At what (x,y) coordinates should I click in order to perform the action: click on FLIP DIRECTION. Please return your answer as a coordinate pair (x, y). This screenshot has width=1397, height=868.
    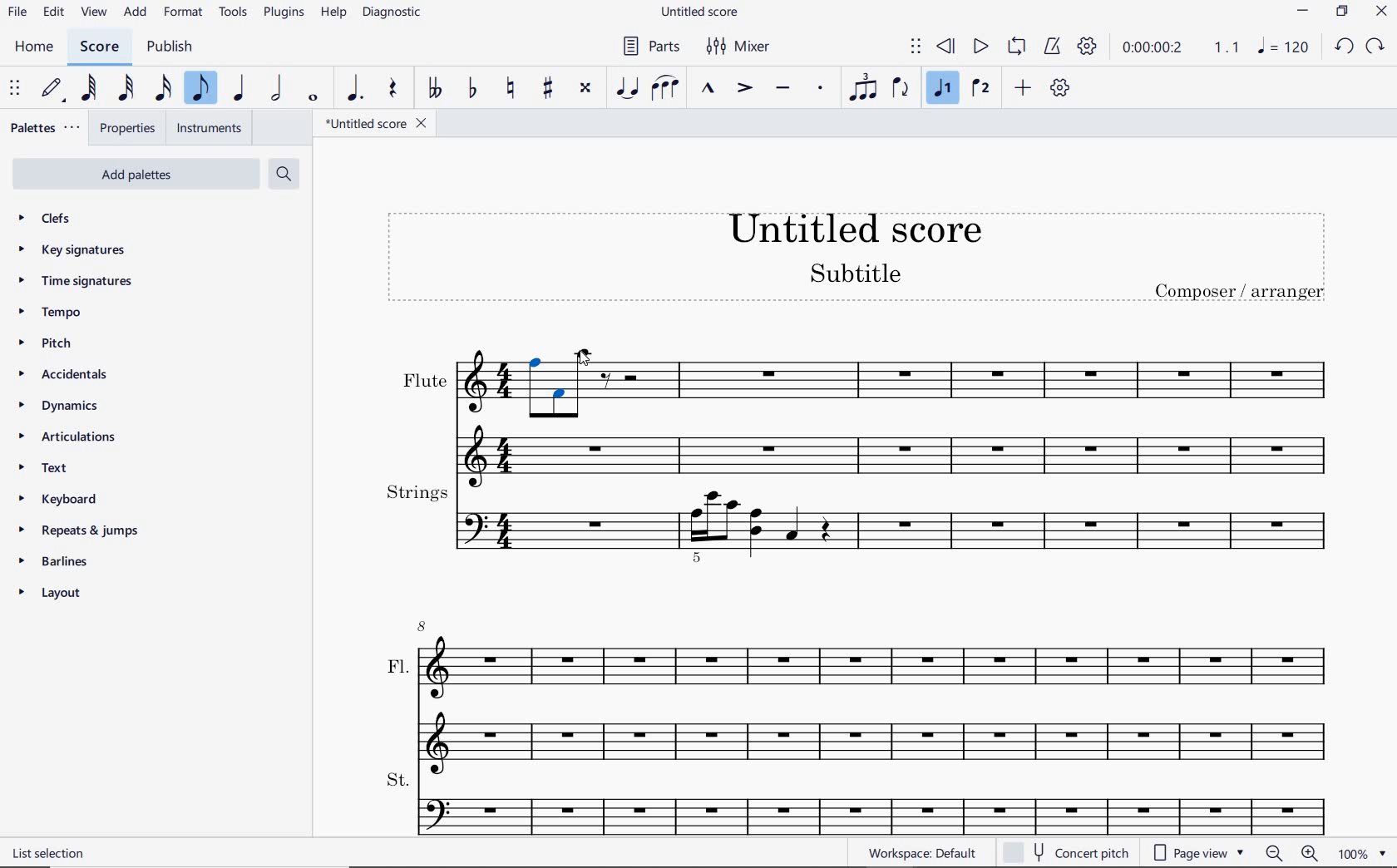
    Looking at the image, I should click on (900, 89).